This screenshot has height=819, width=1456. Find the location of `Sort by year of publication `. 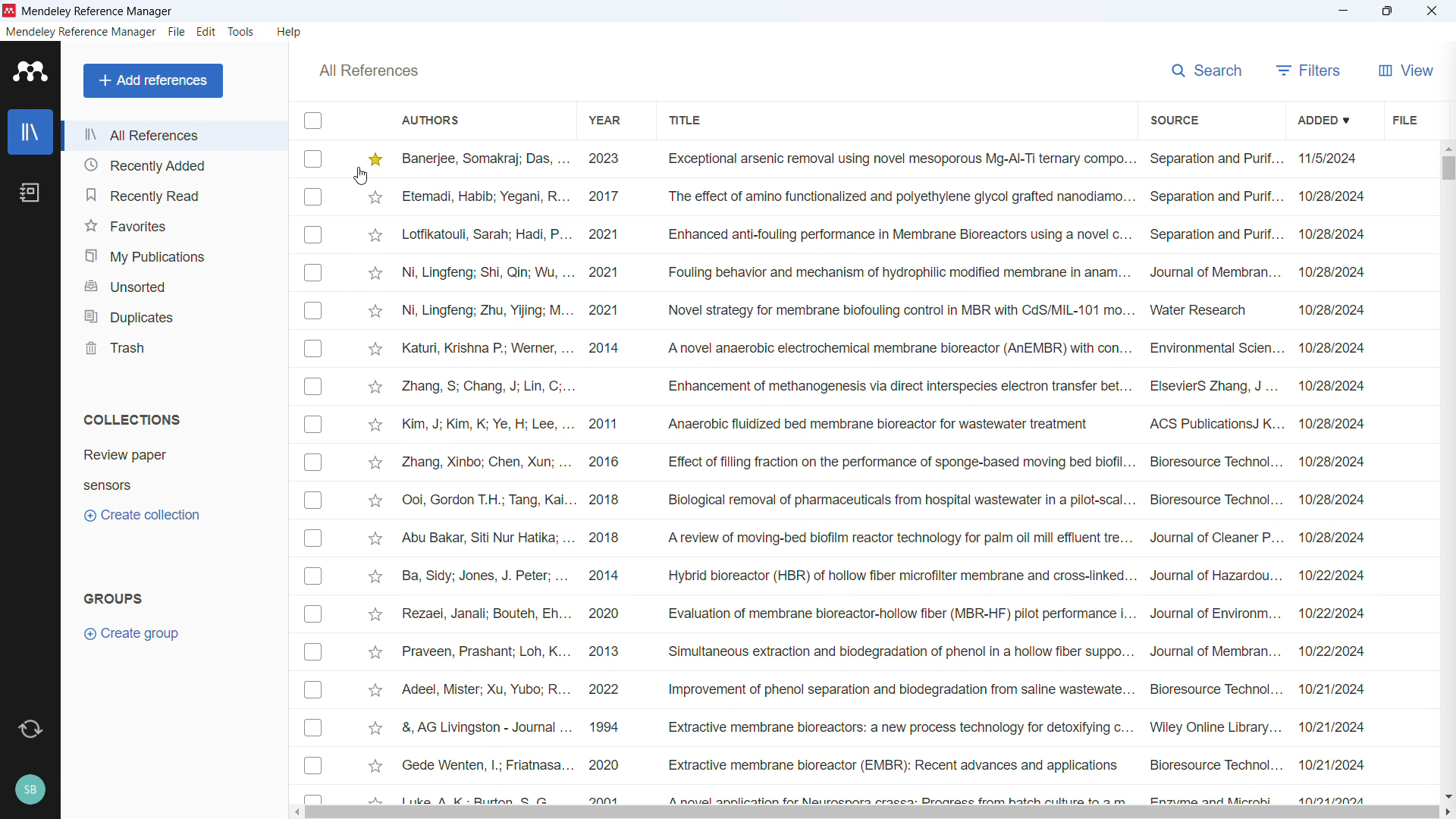

Sort by year of publication  is located at coordinates (607, 118).